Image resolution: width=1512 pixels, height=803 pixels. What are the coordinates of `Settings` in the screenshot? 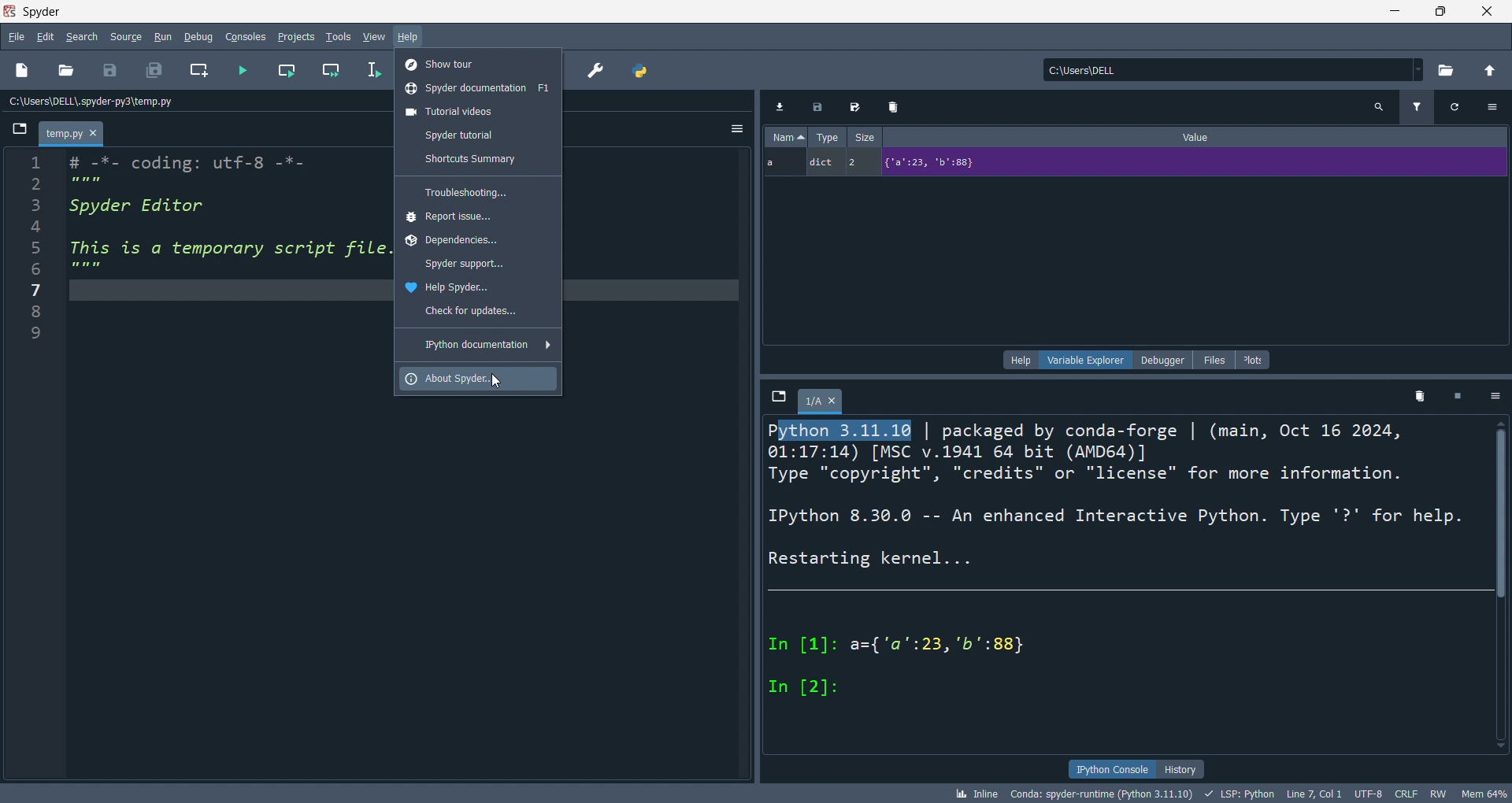 It's located at (1495, 395).